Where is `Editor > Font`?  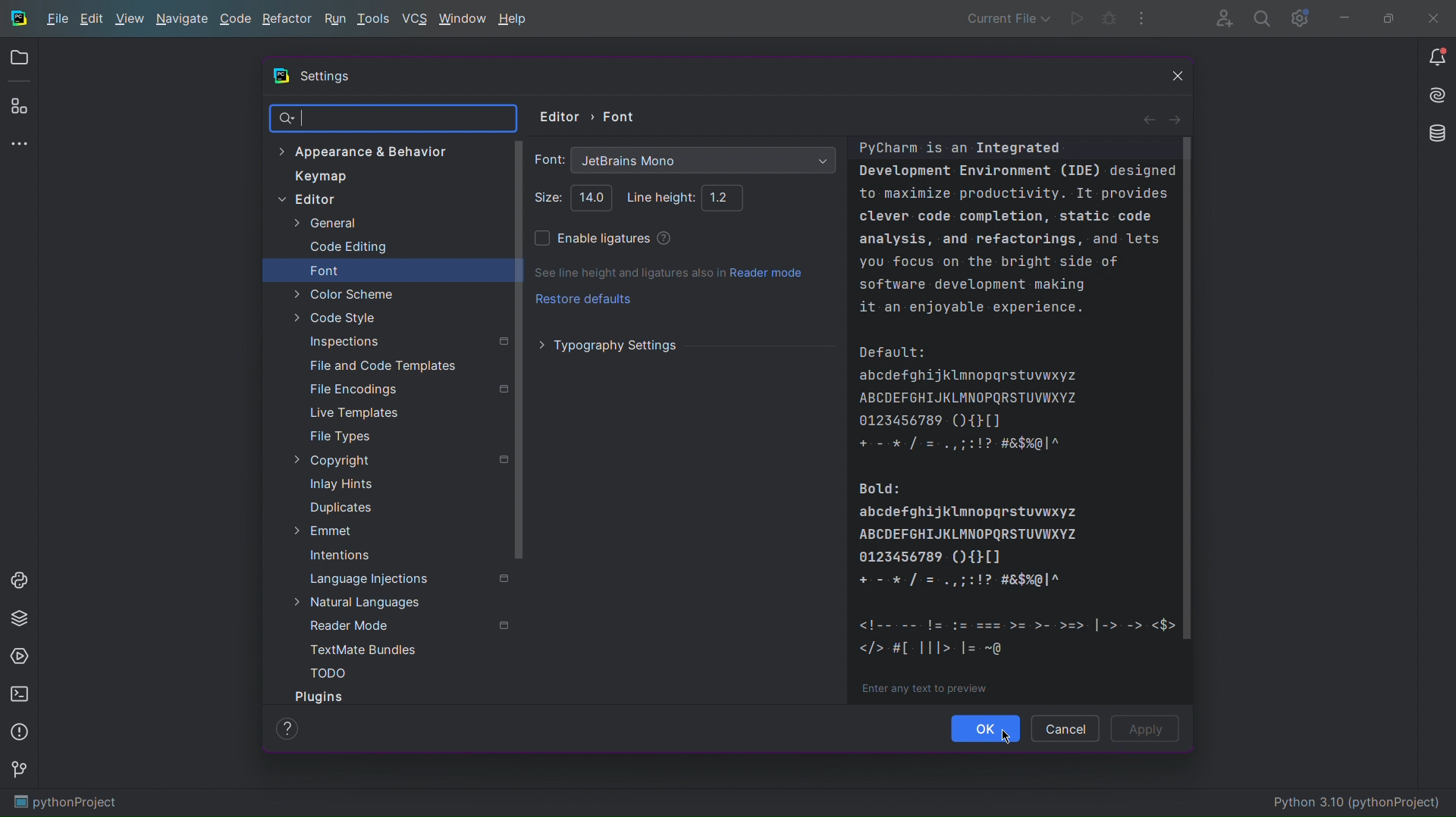
Editor > Font is located at coordinates (590, 114).